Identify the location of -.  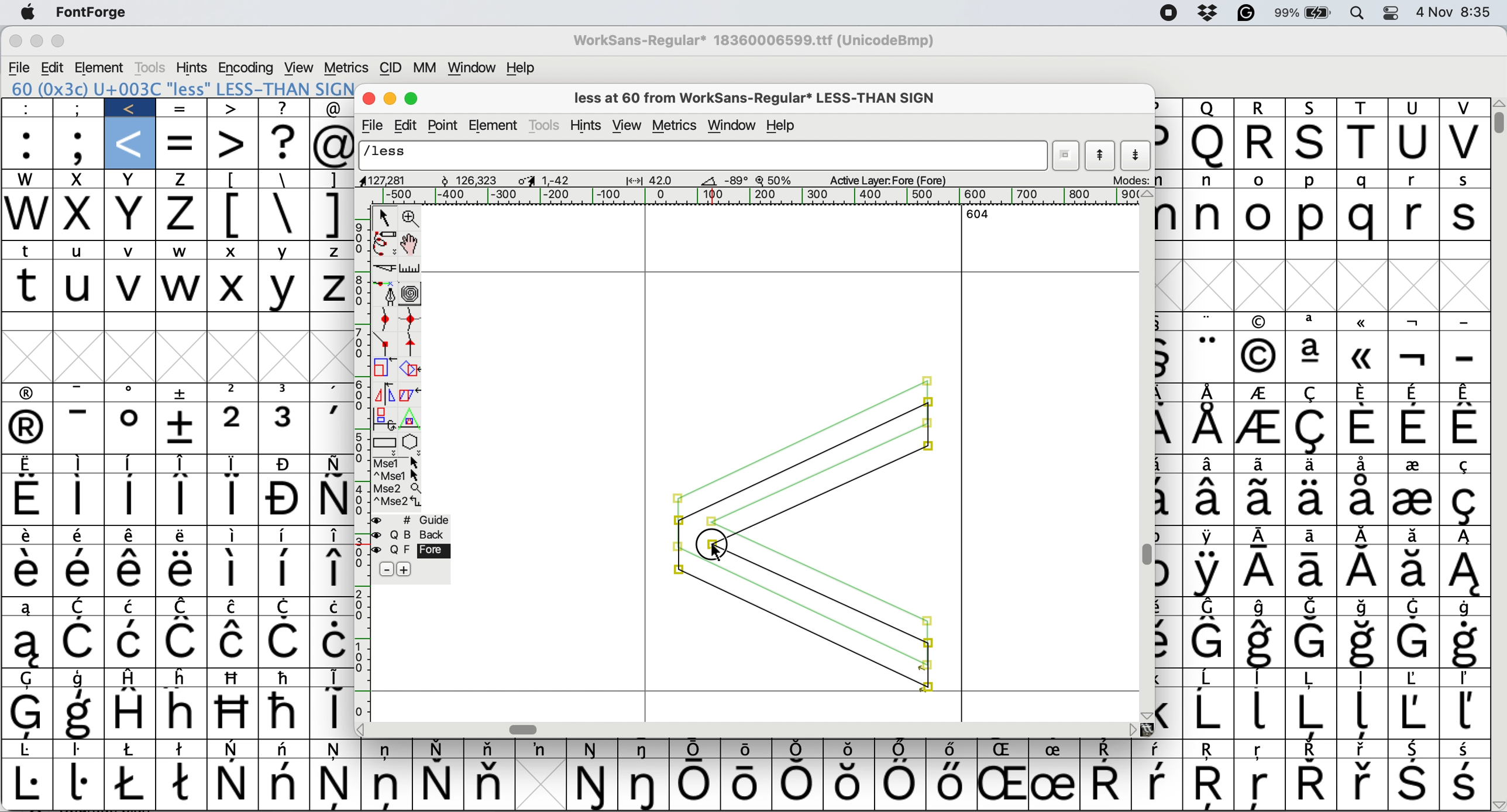
(1465, 323).